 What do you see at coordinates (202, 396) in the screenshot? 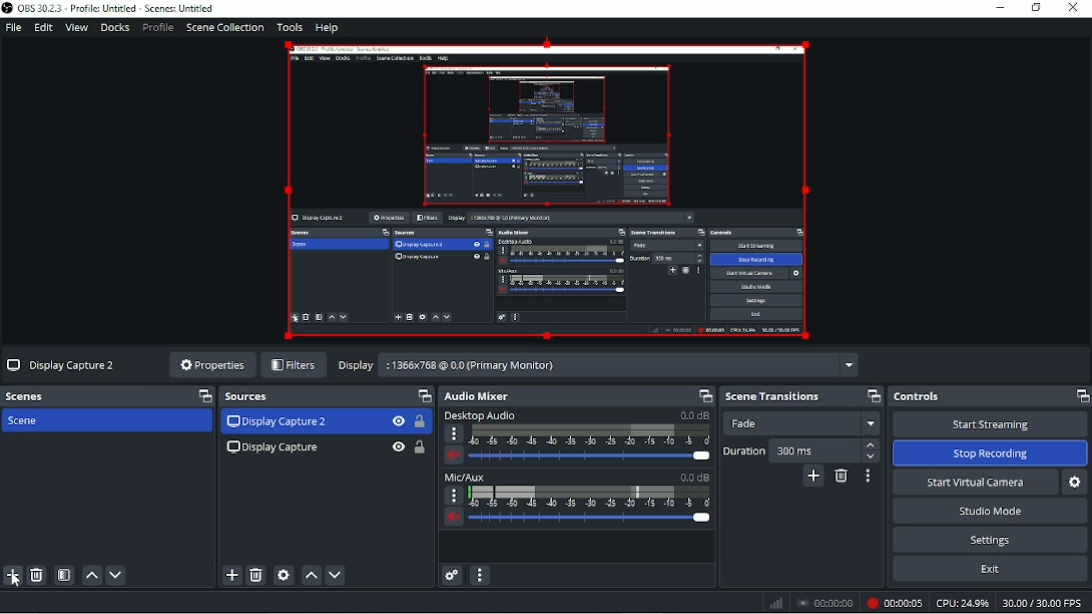
I see `Maximize` at bounding box center [202, 396].